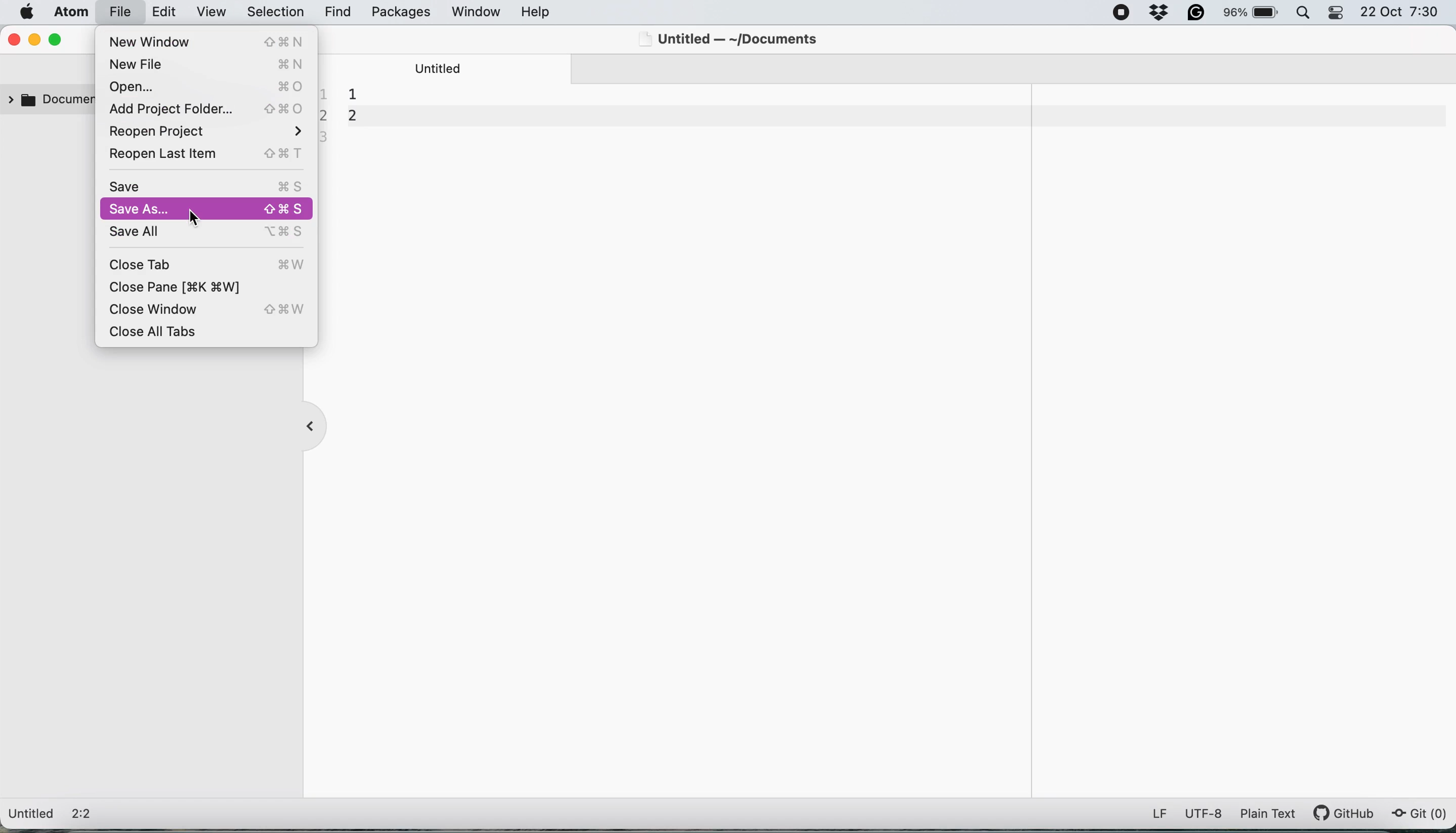  Describe the element at coordinates (201, 265) in the screenshot. I see `Close Tab` at that location.